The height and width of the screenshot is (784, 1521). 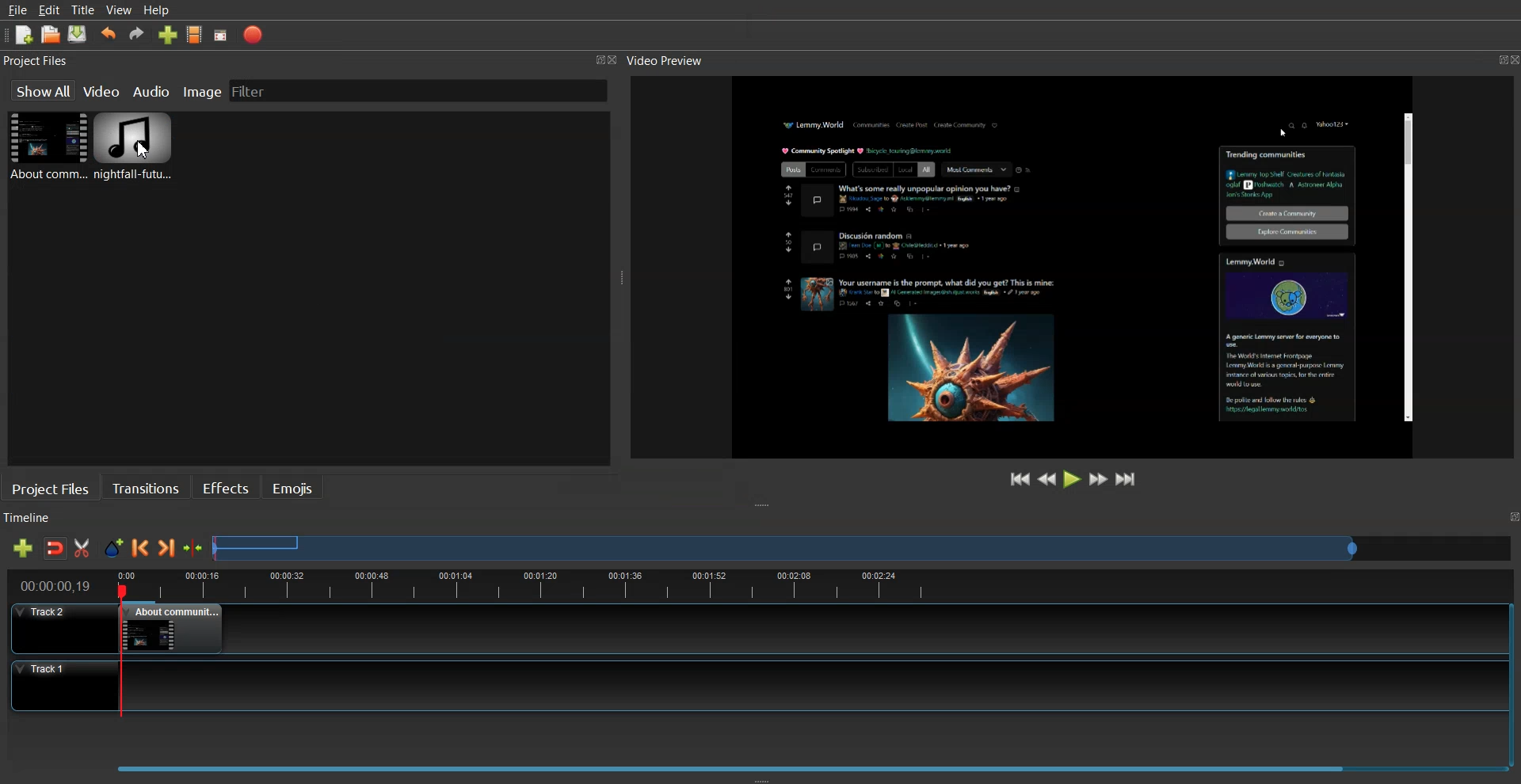 What do you see at coordinates (103, 89) in the screenshot?
I see `Video` at bounding box center [103, 89].